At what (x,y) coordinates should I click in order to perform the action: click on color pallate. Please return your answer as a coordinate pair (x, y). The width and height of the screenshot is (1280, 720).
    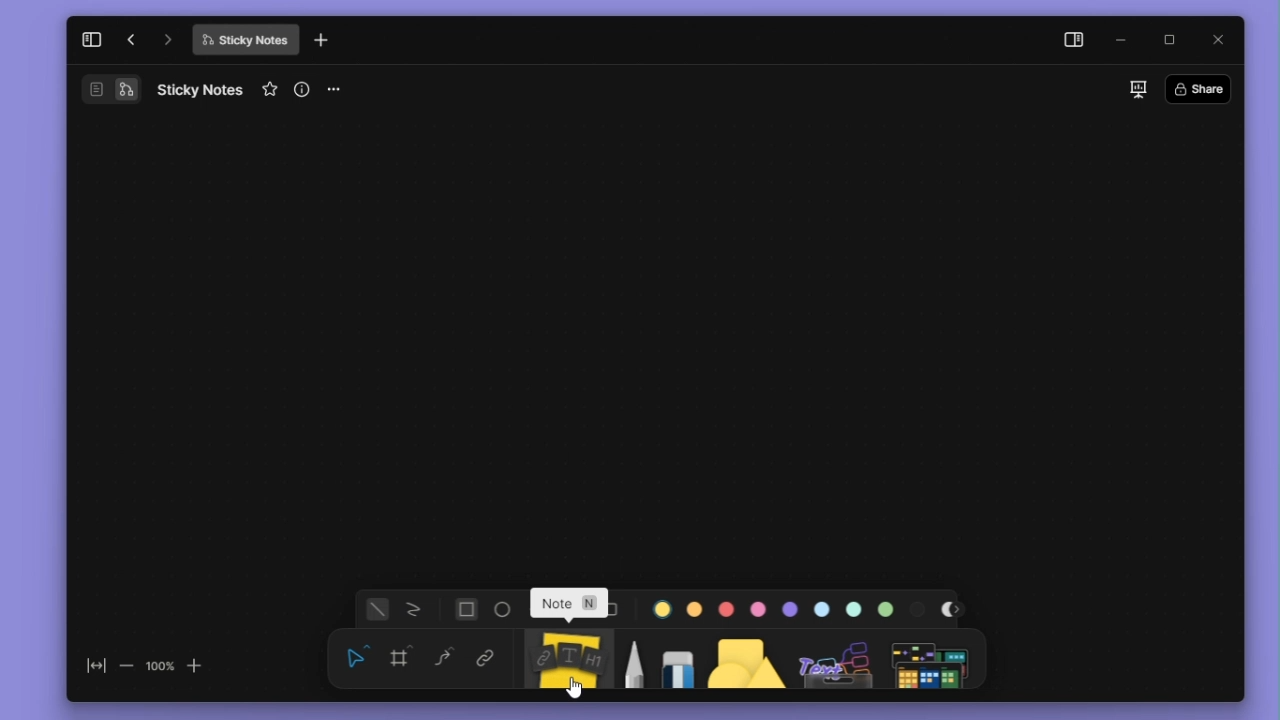
    Looking at the image, I should click on (727, 609).